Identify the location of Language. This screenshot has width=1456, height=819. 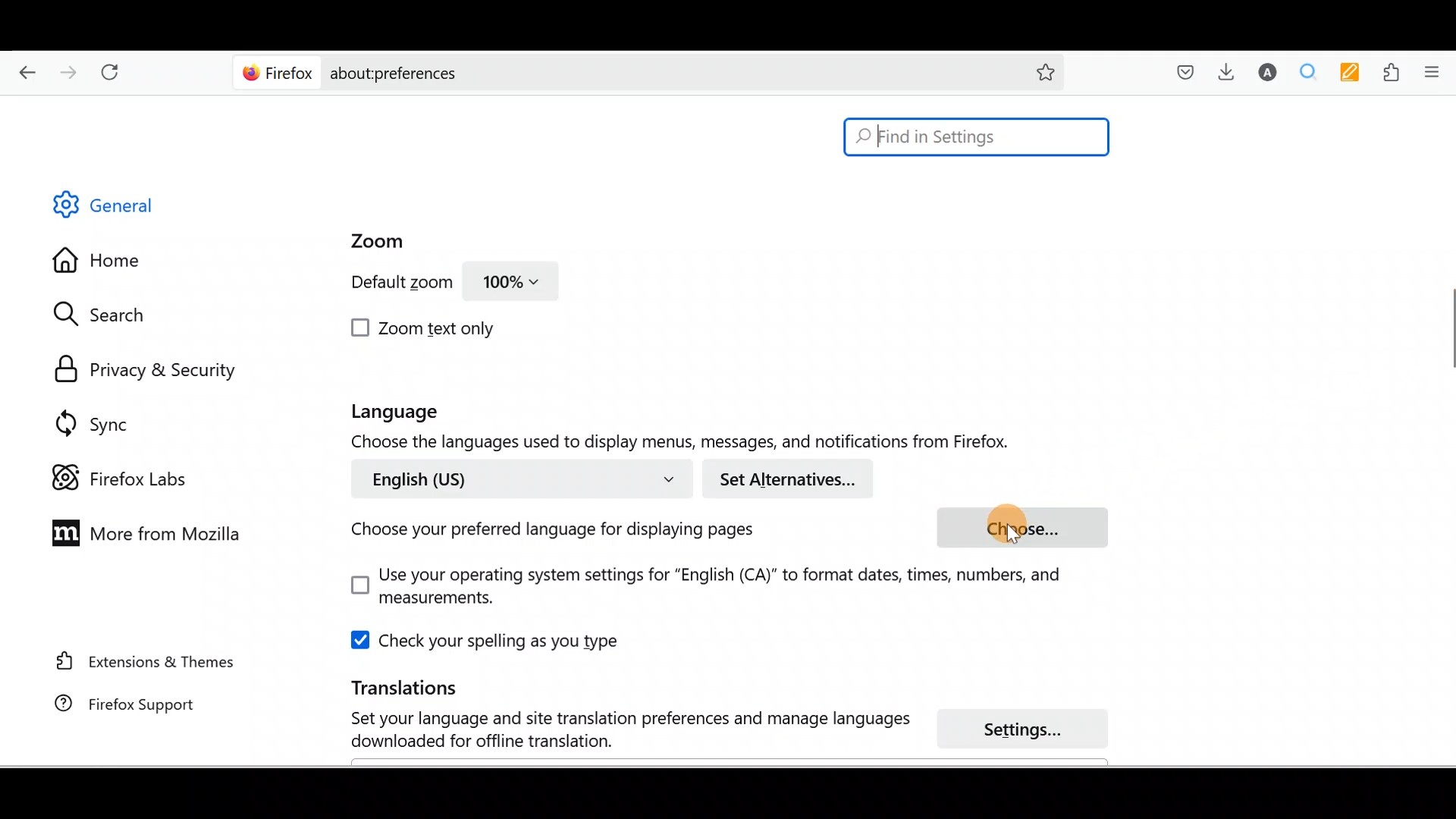
(422, 413).